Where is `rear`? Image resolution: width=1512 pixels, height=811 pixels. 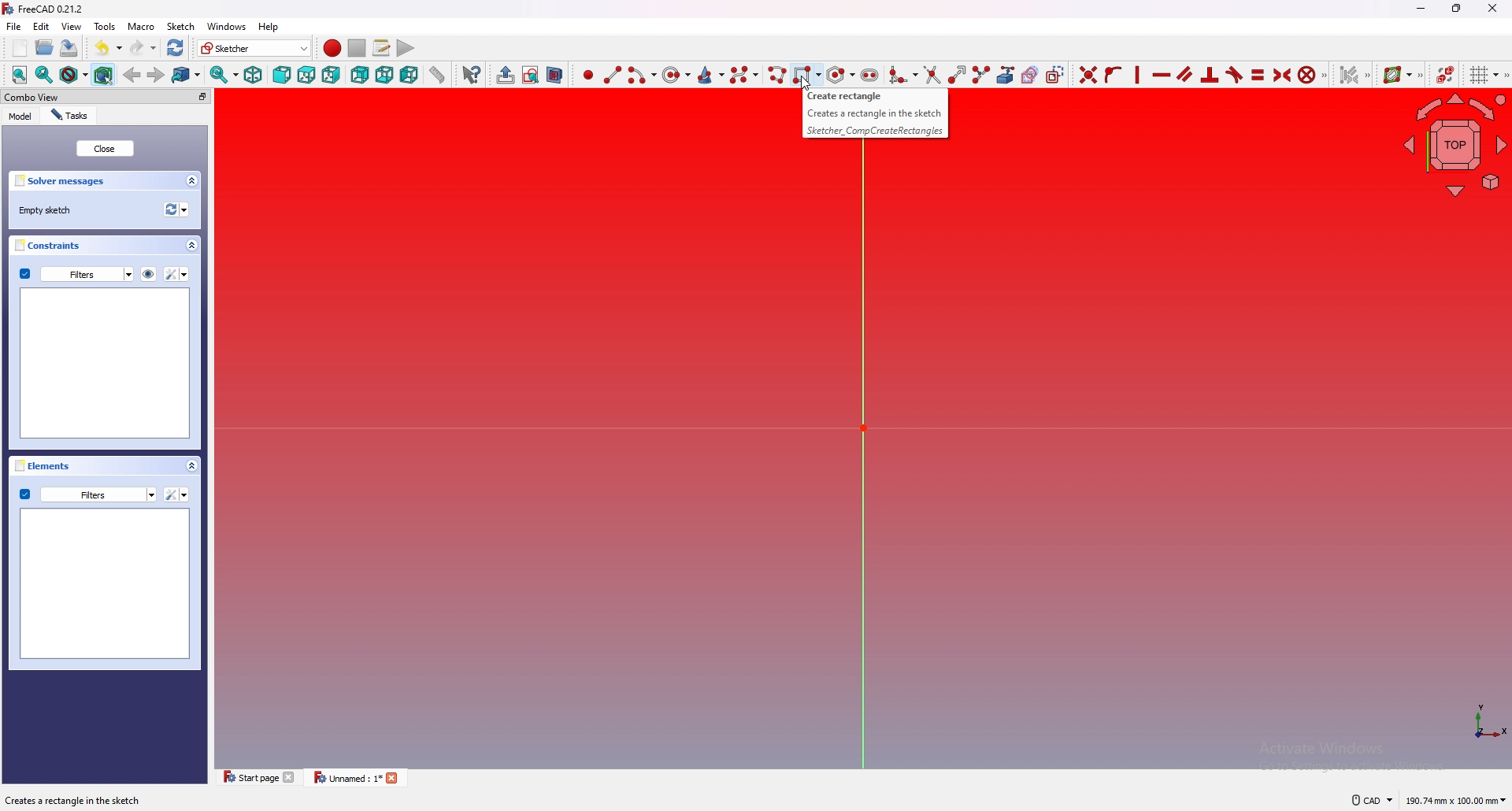 rear is located at coordinates (359, 75).